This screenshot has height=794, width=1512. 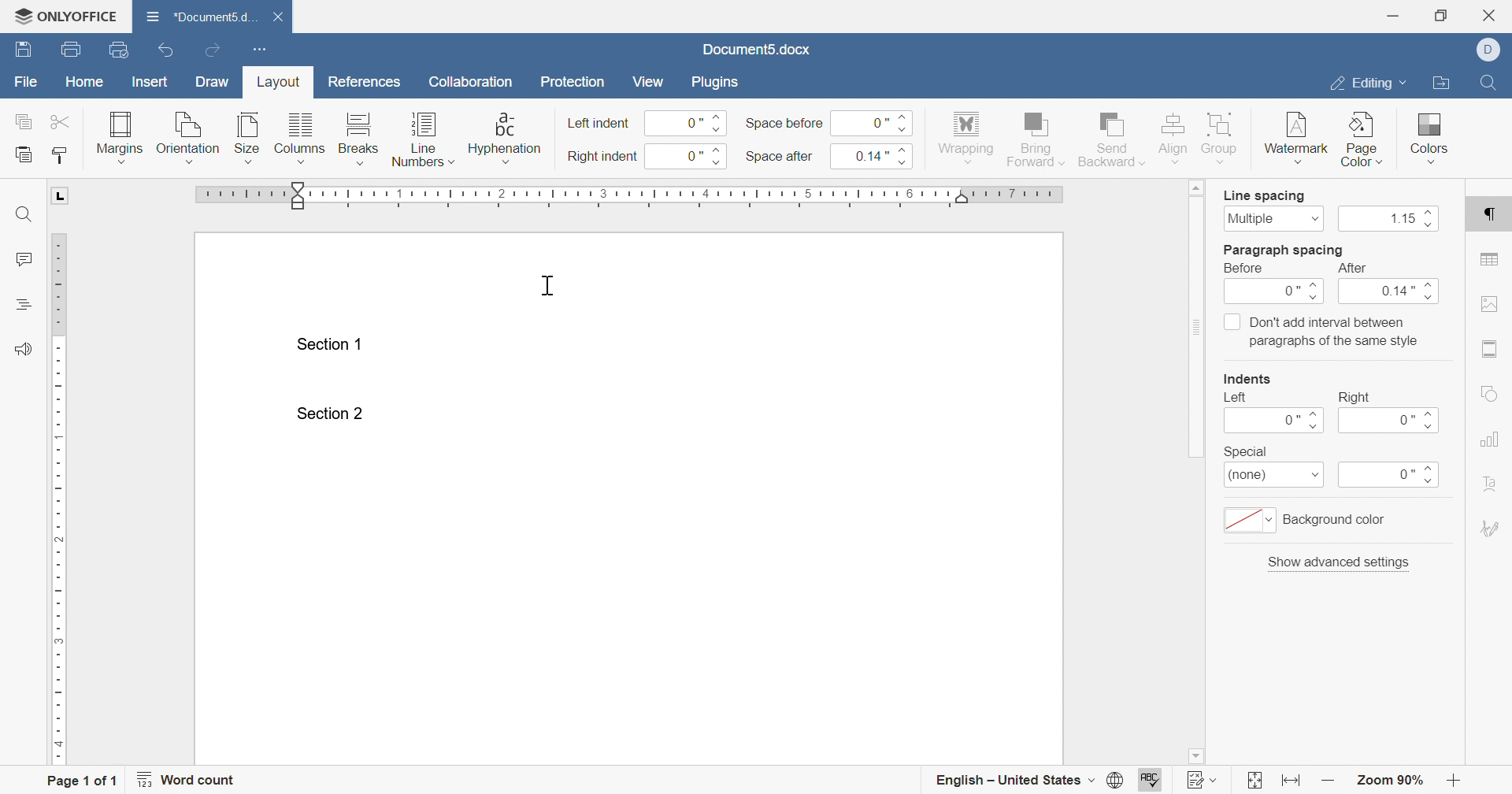 I want to click on ruler, so click(x=60, y=499).